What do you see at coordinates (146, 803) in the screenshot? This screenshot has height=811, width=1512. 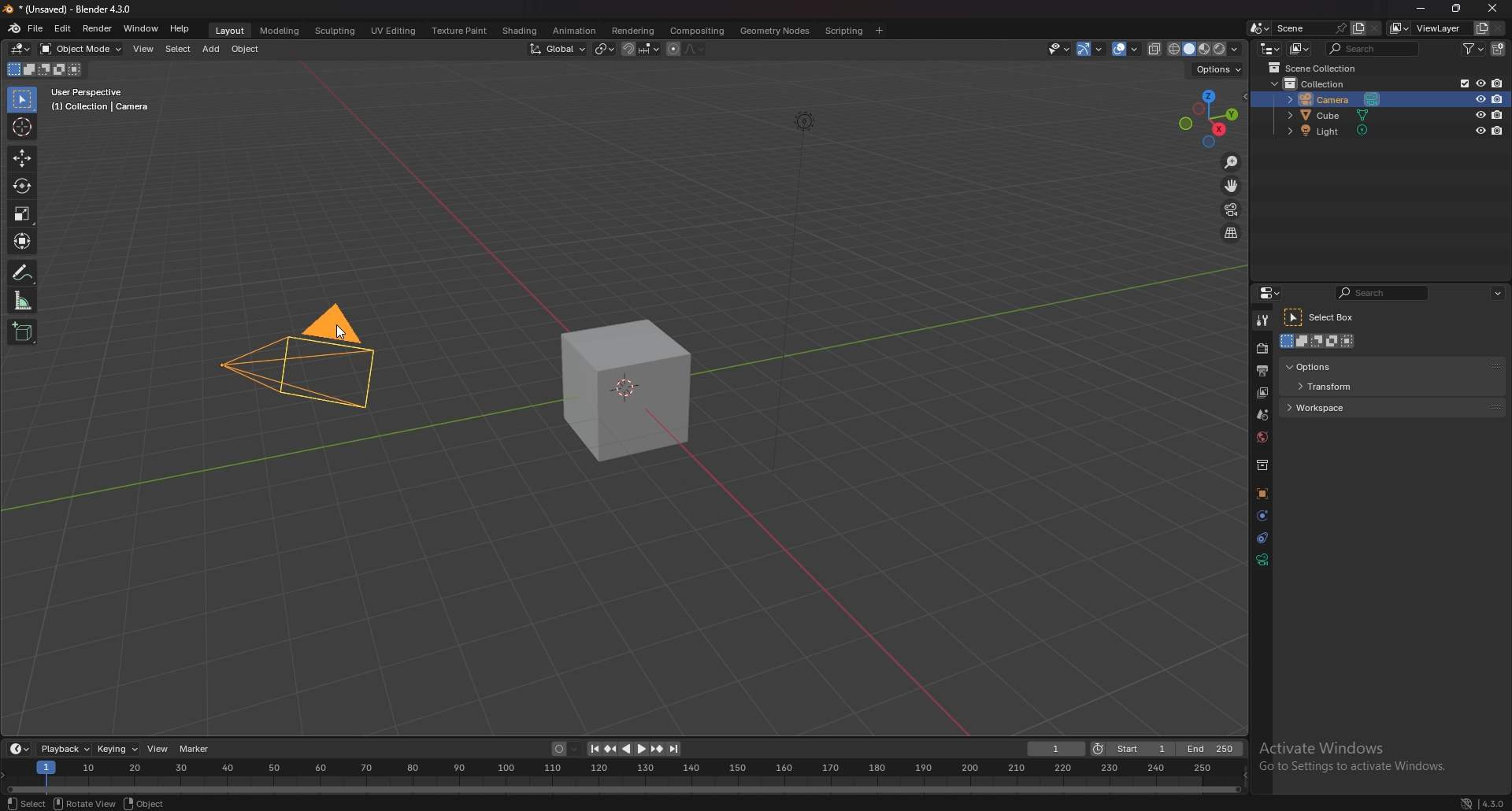 I see `object` at bounding box center [146, 803].